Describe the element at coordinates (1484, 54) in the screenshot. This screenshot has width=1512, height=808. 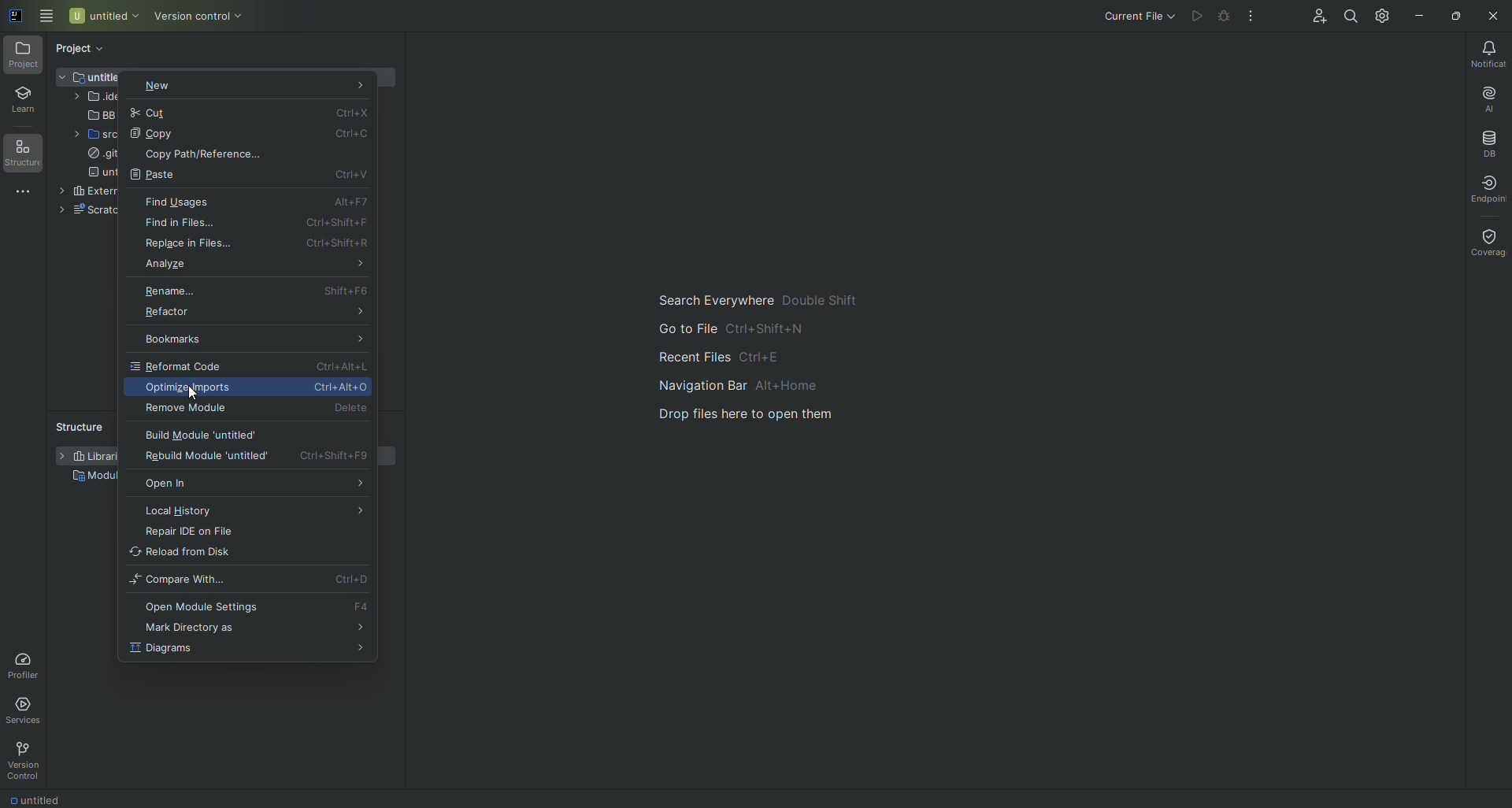
I see `Notifications` at that location.